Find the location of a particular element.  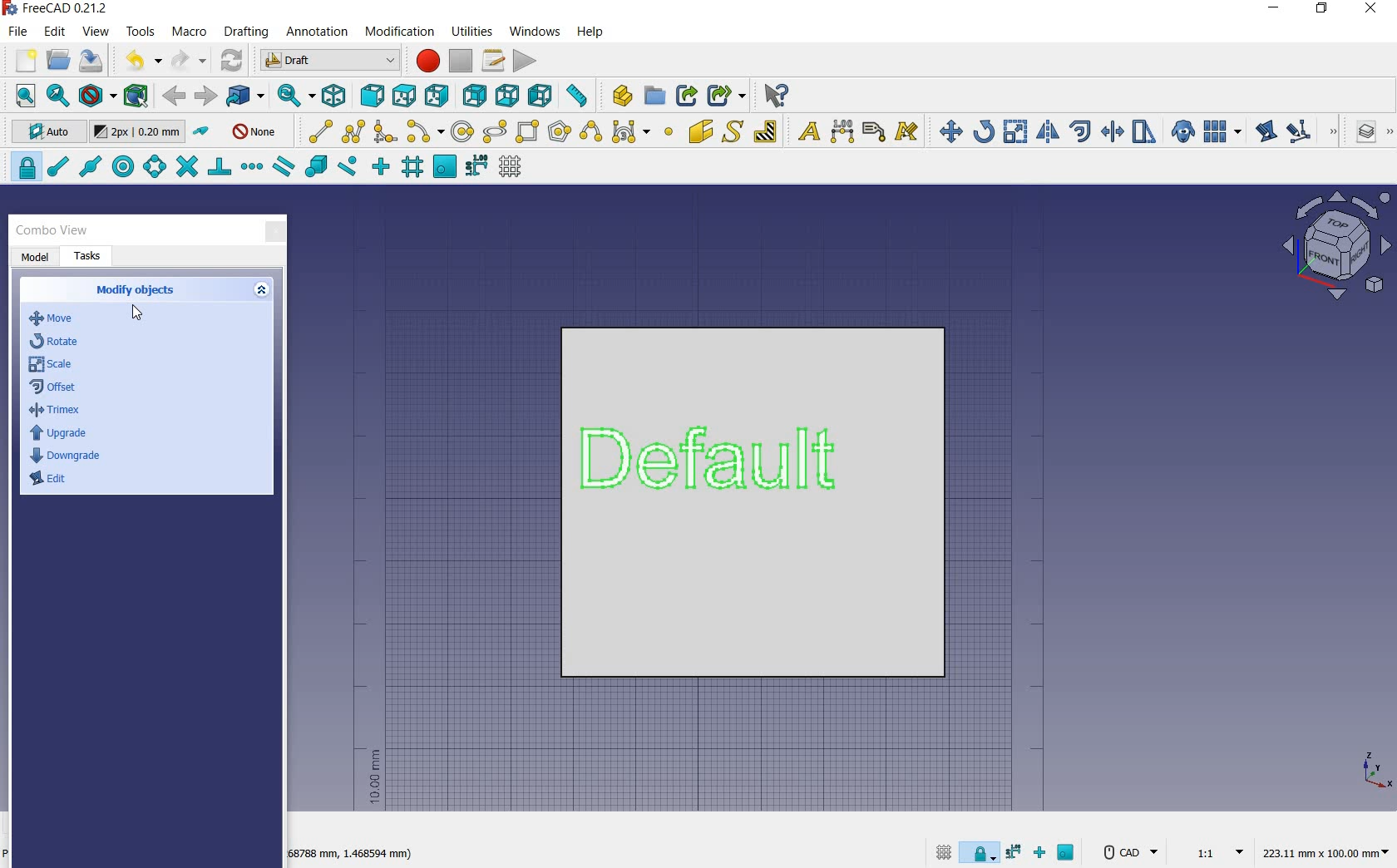

move is located at coordinates (946, 131).